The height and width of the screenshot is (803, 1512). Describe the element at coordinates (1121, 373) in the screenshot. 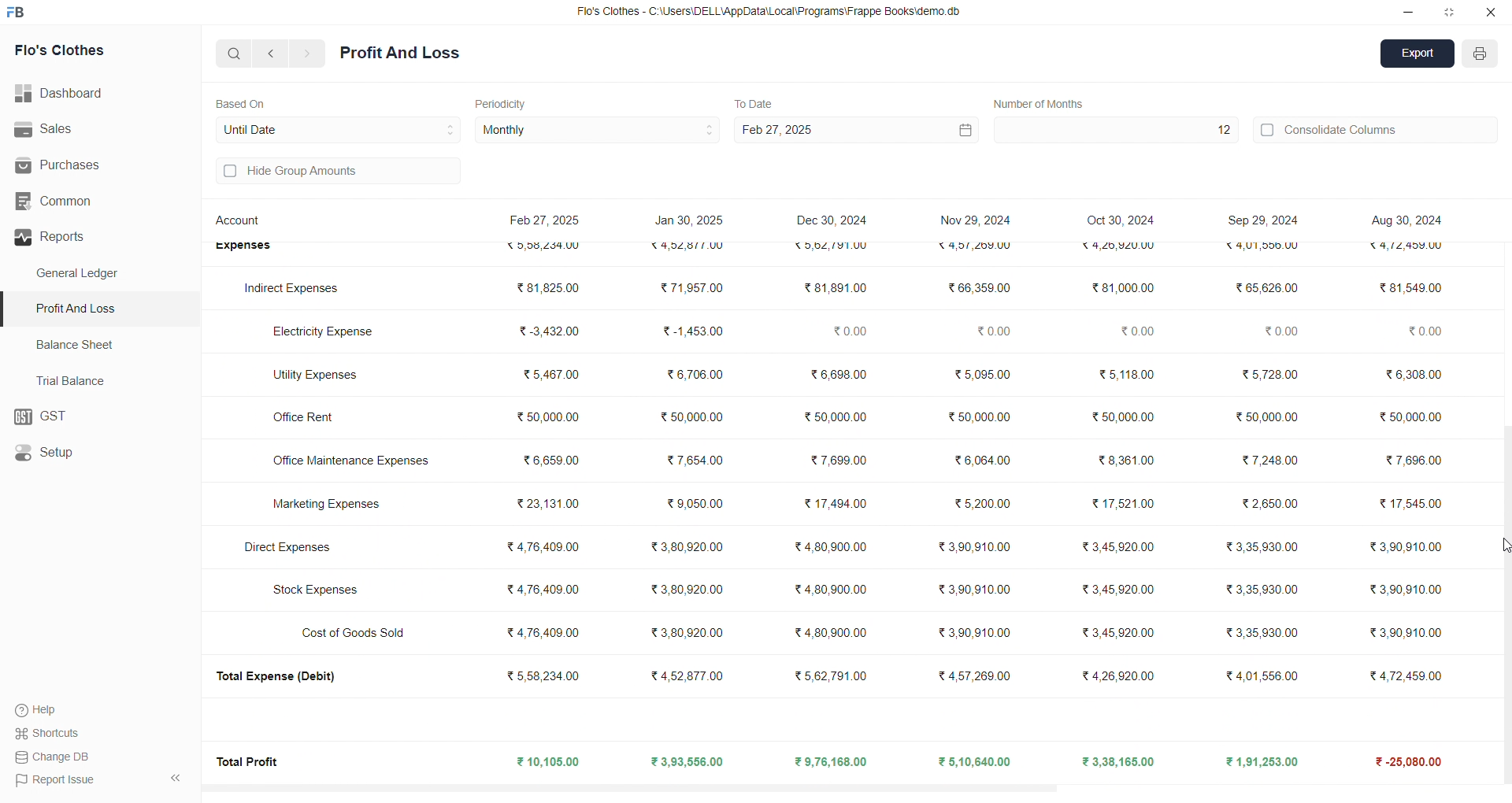

I see `₹ 5,118.00` at that location.